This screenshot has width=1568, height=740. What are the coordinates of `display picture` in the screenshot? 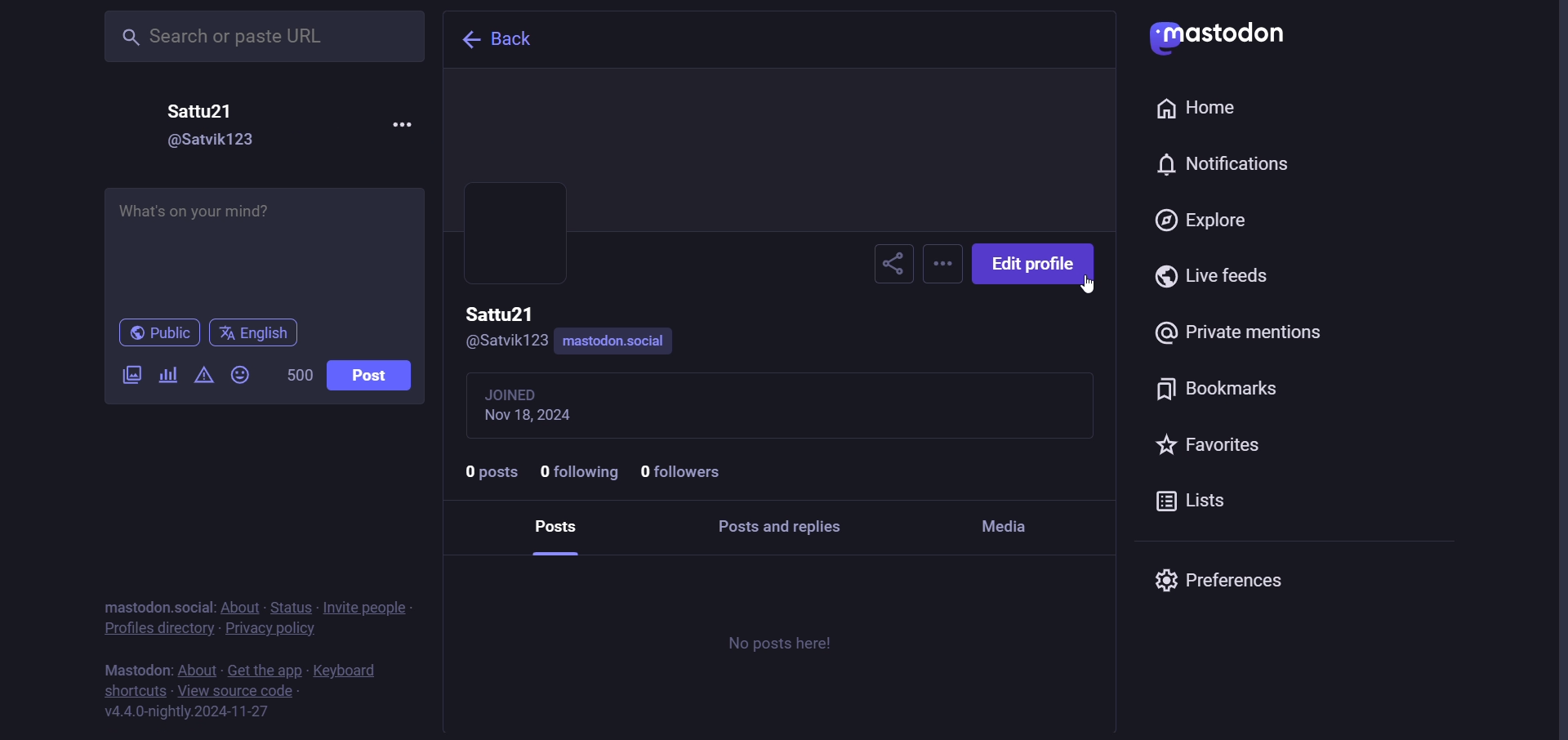 It's located at (501, 261).